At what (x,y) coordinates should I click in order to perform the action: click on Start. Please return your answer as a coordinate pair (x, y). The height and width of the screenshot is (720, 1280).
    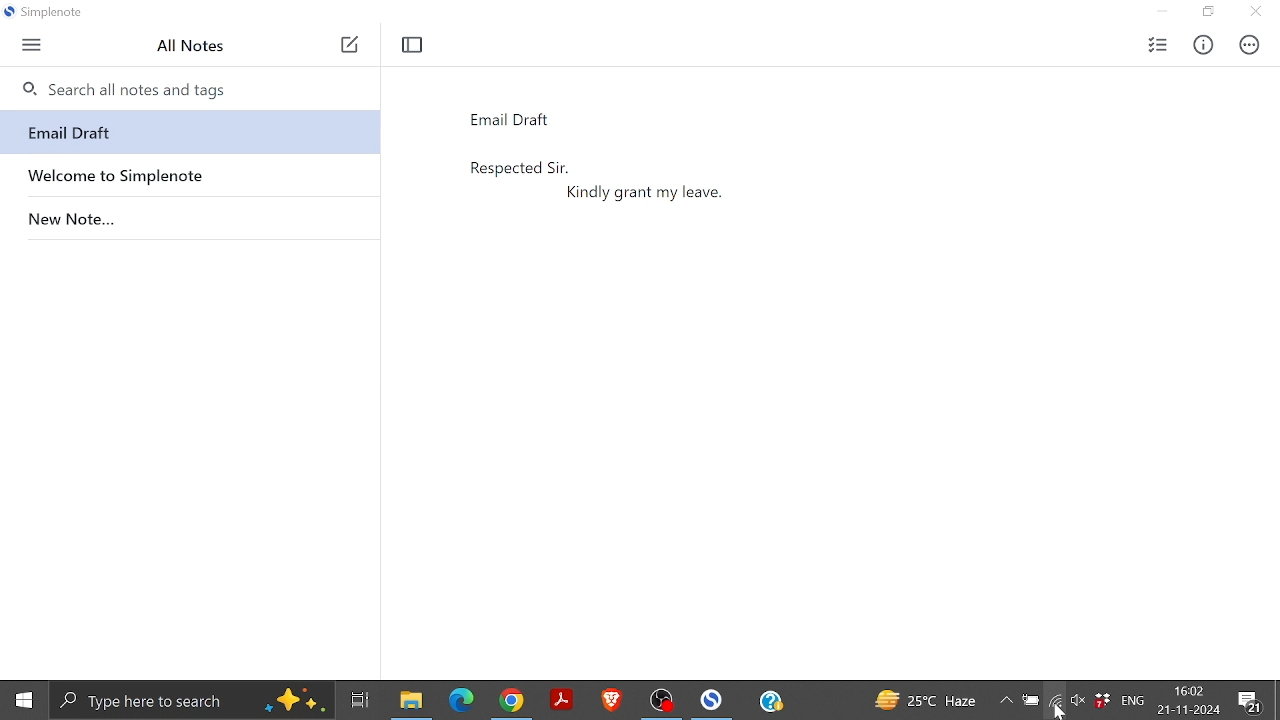
    Looking at the image, I should click on (23, 701).